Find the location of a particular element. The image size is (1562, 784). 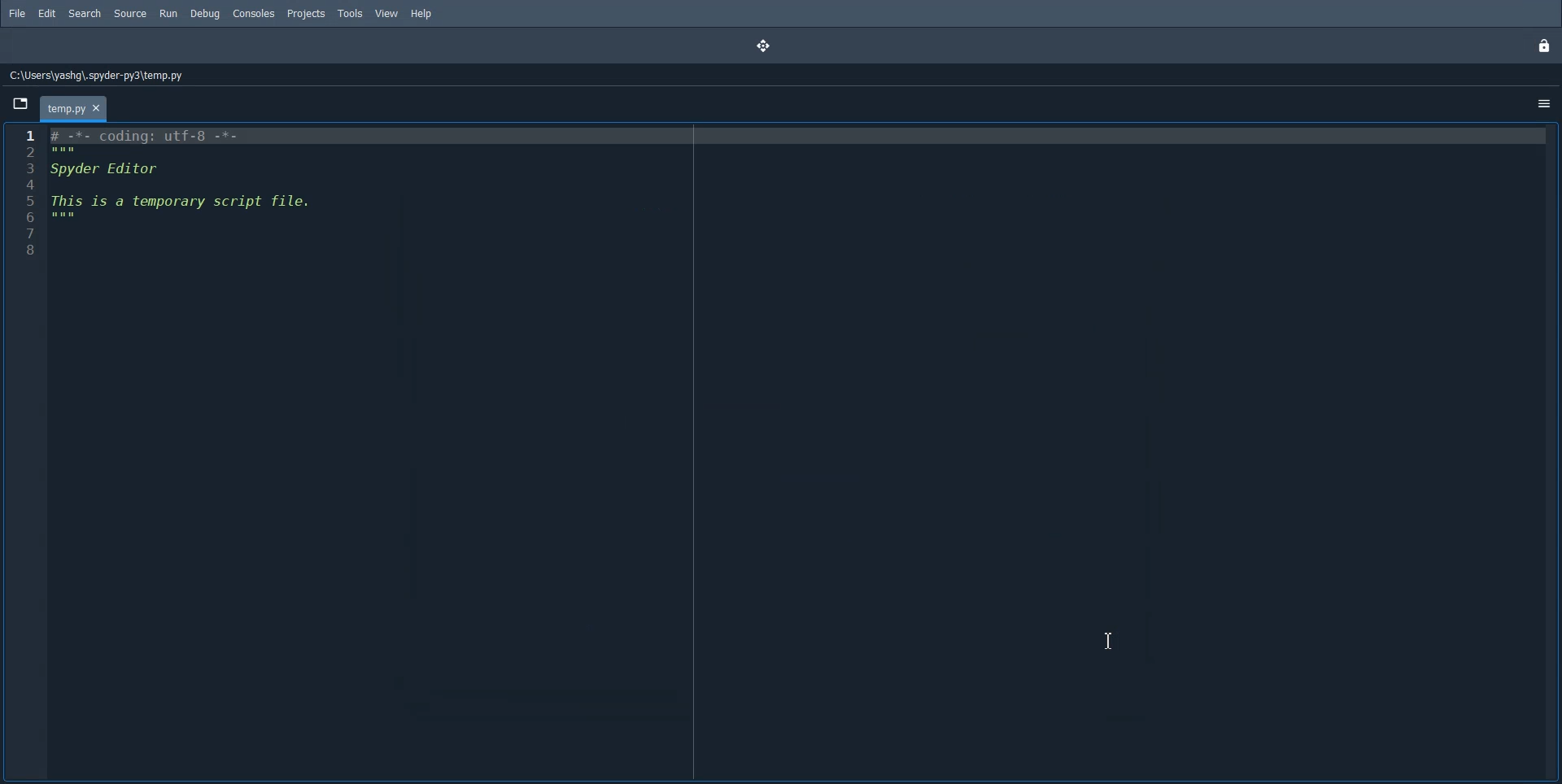

Drag and drop pane is located at coordinates (765, 46).